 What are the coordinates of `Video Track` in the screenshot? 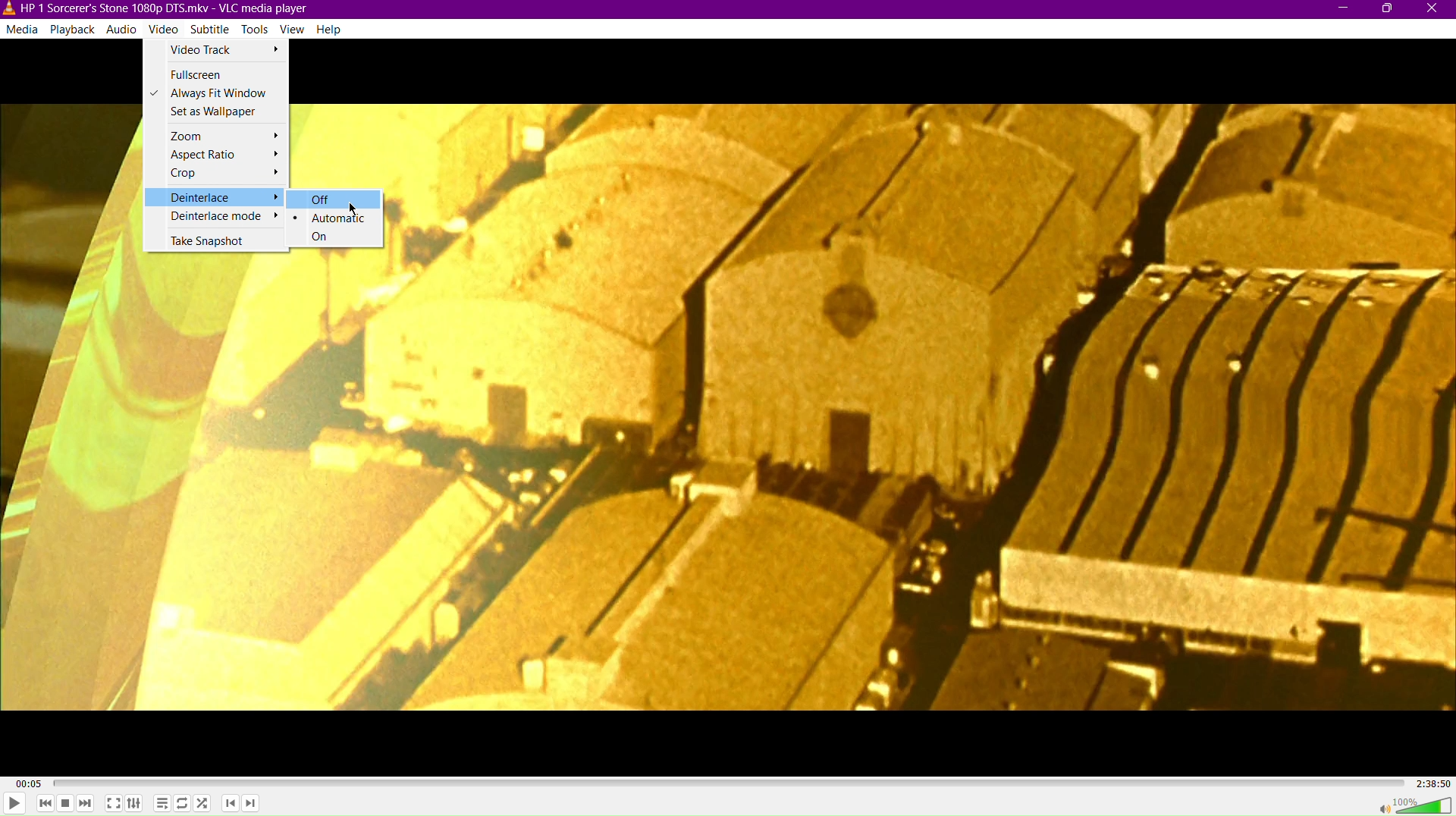 It's located at (217, 49).